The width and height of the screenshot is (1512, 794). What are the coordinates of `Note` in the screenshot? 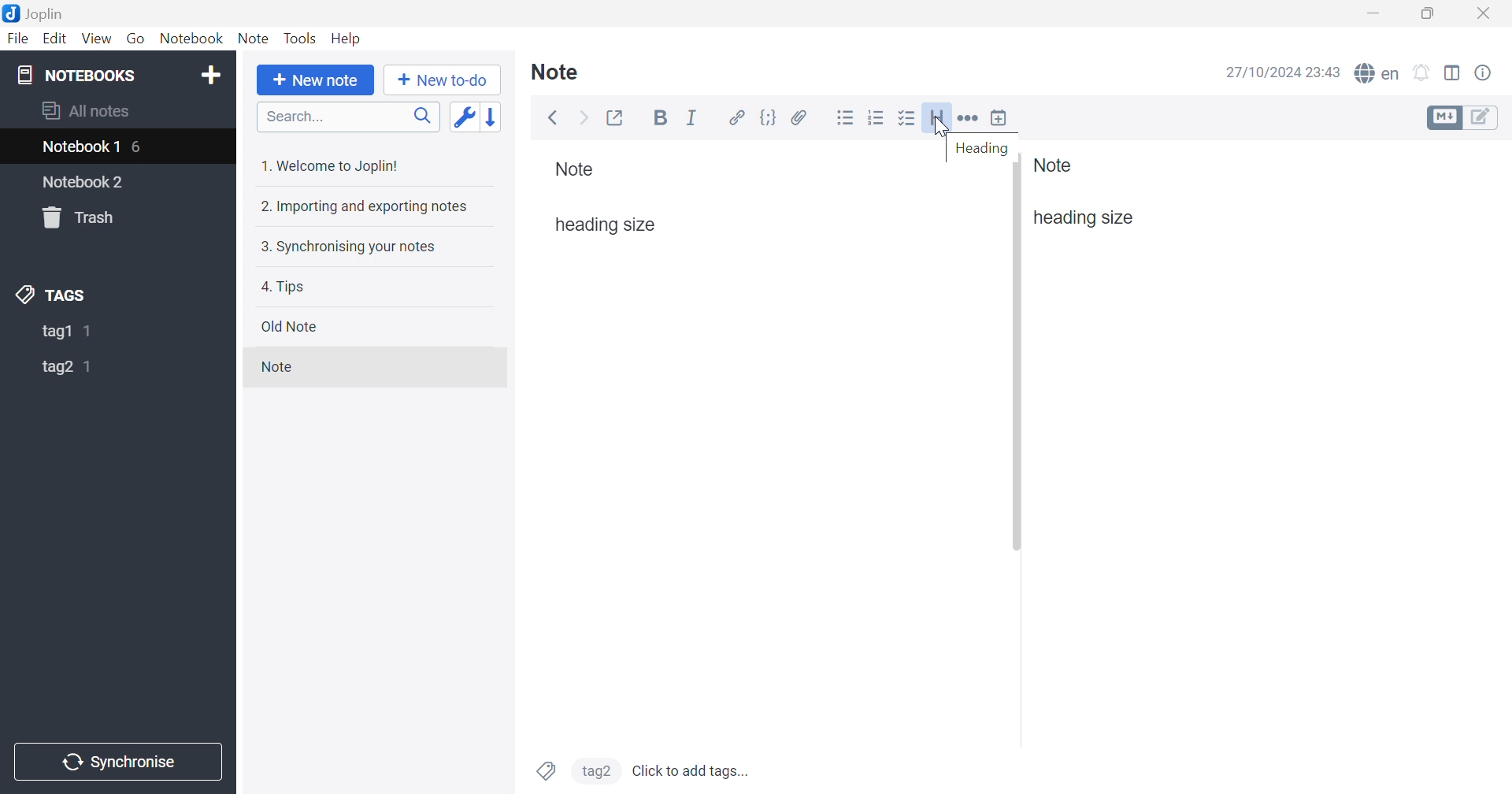 It's located at (1054, 165).